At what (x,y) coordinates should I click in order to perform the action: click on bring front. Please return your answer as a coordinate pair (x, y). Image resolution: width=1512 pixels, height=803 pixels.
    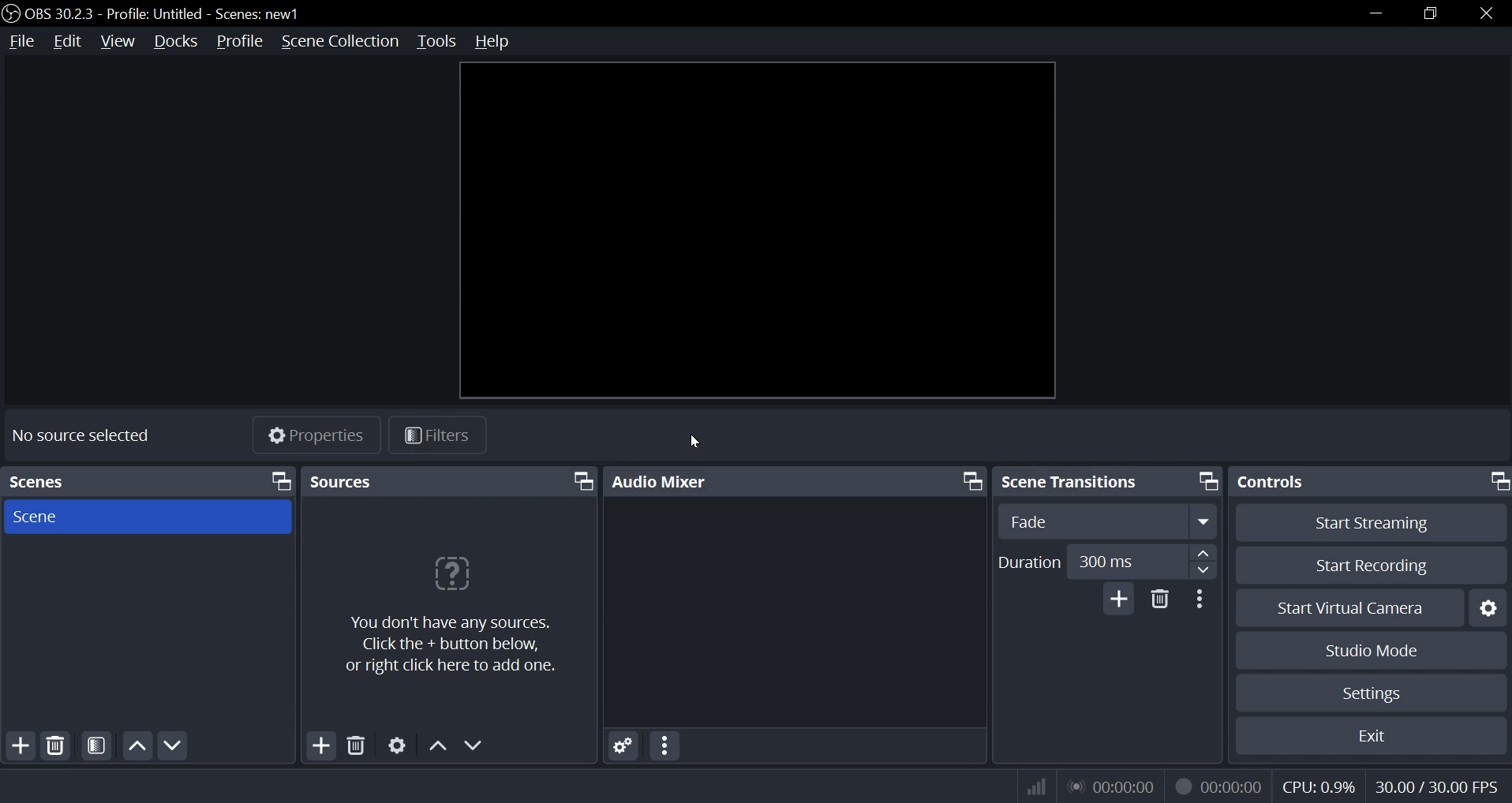
    Looking at the image, I should click on (582, 483).